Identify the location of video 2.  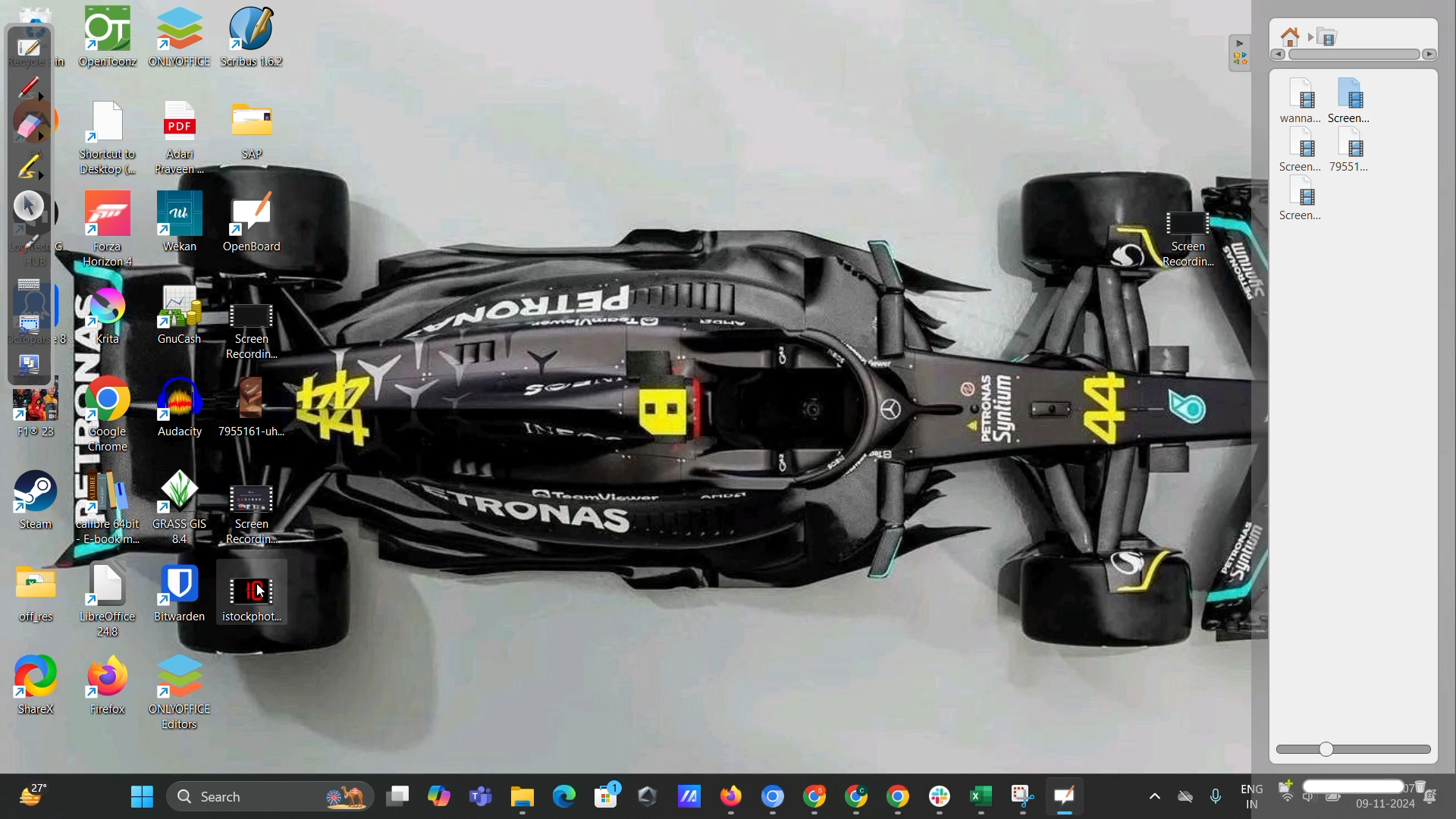
(1361, 102).